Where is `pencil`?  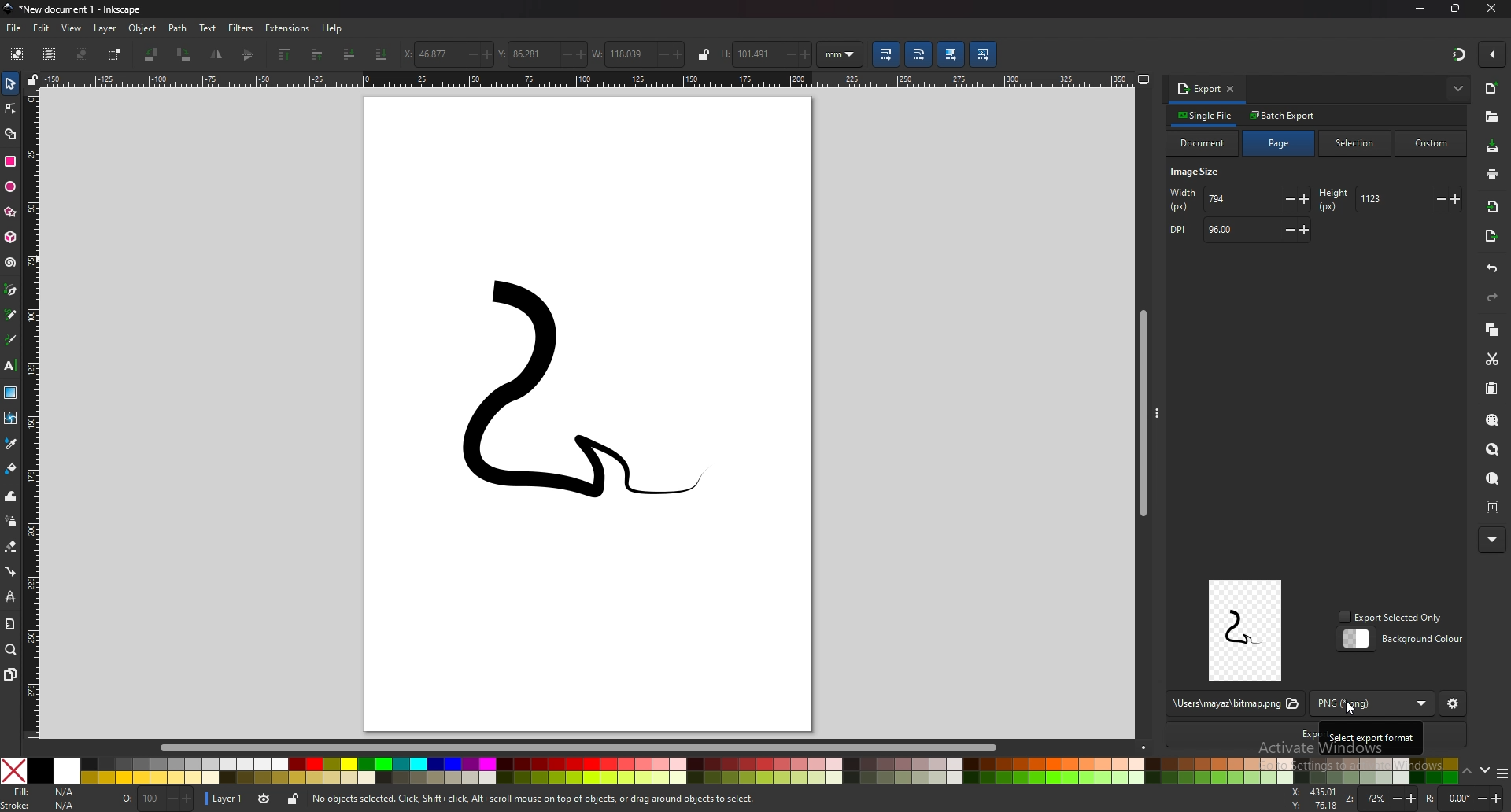 pencil is located at coordinates (12, 314).